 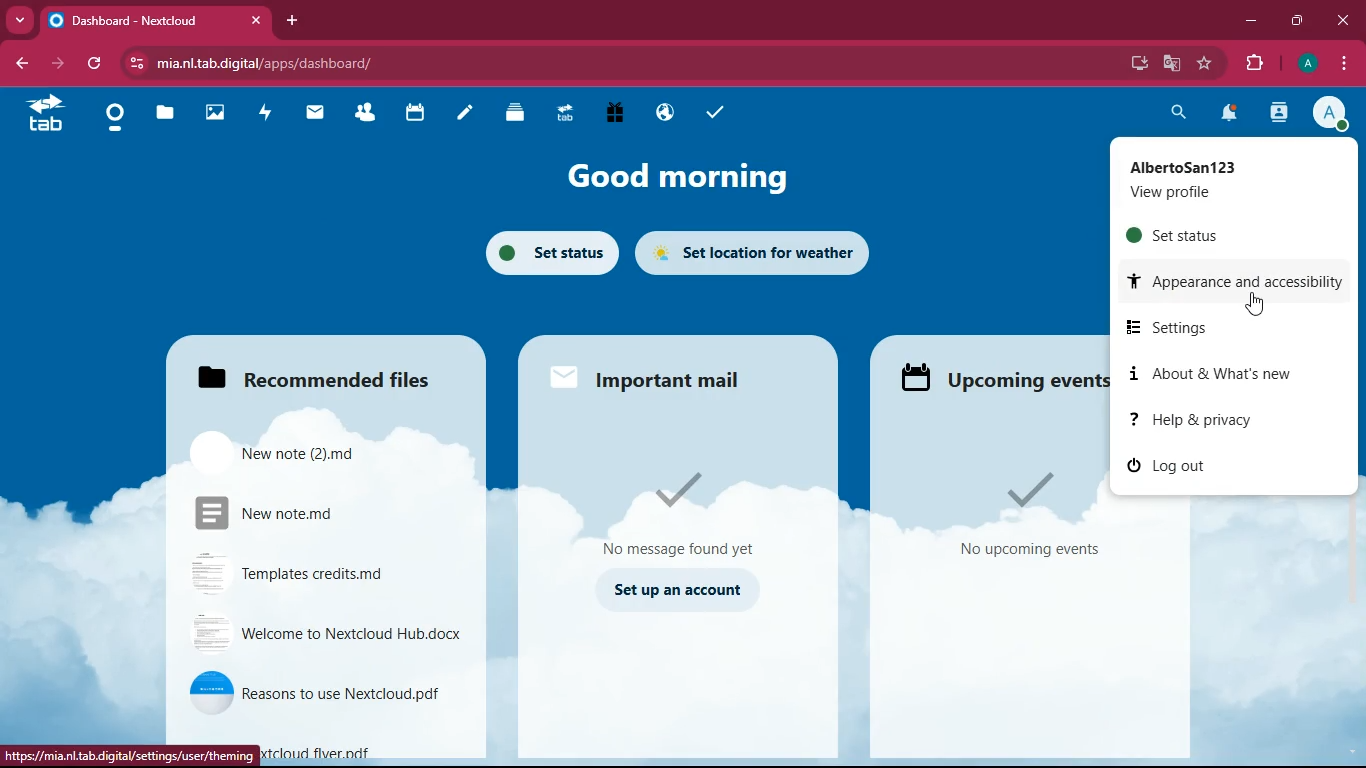 What do you see at coordinates (755, 255) in the screenshot?
I see `set location` at bounding box center [755, 255].